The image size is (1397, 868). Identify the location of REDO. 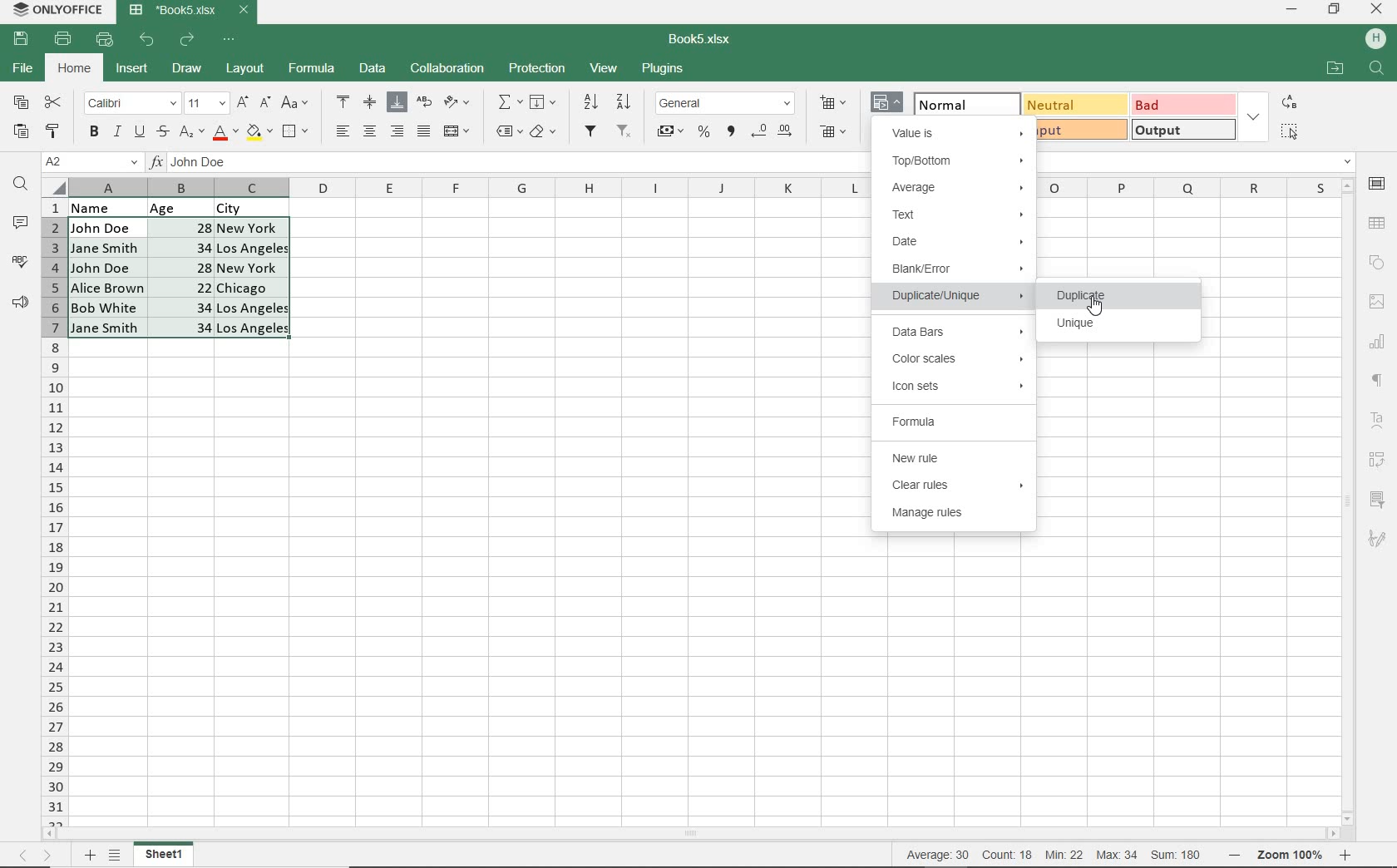
(189, 39).